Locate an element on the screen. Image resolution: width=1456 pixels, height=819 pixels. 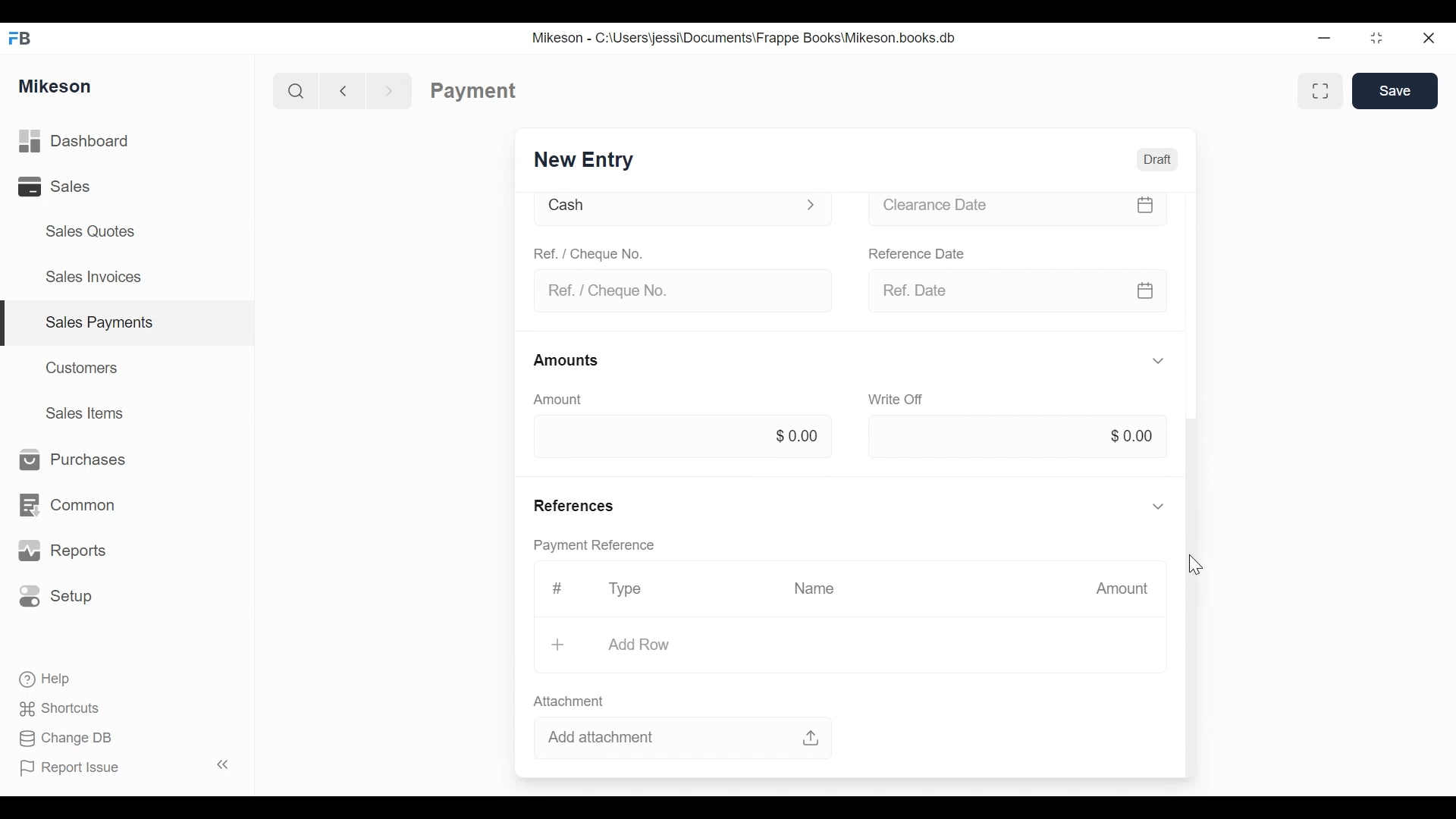
ref. date is located at coordinates (908, 290).